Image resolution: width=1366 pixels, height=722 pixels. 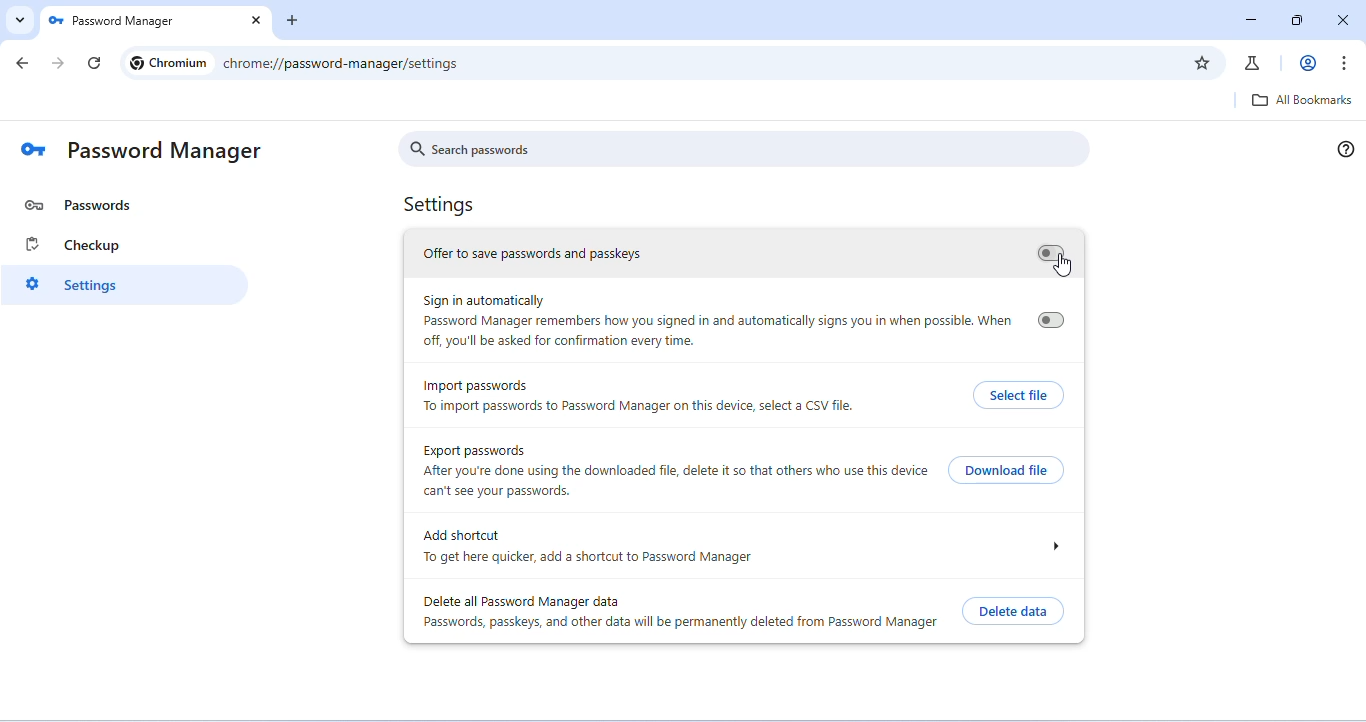 I want to click on checkup, so click(x=126, y=244).